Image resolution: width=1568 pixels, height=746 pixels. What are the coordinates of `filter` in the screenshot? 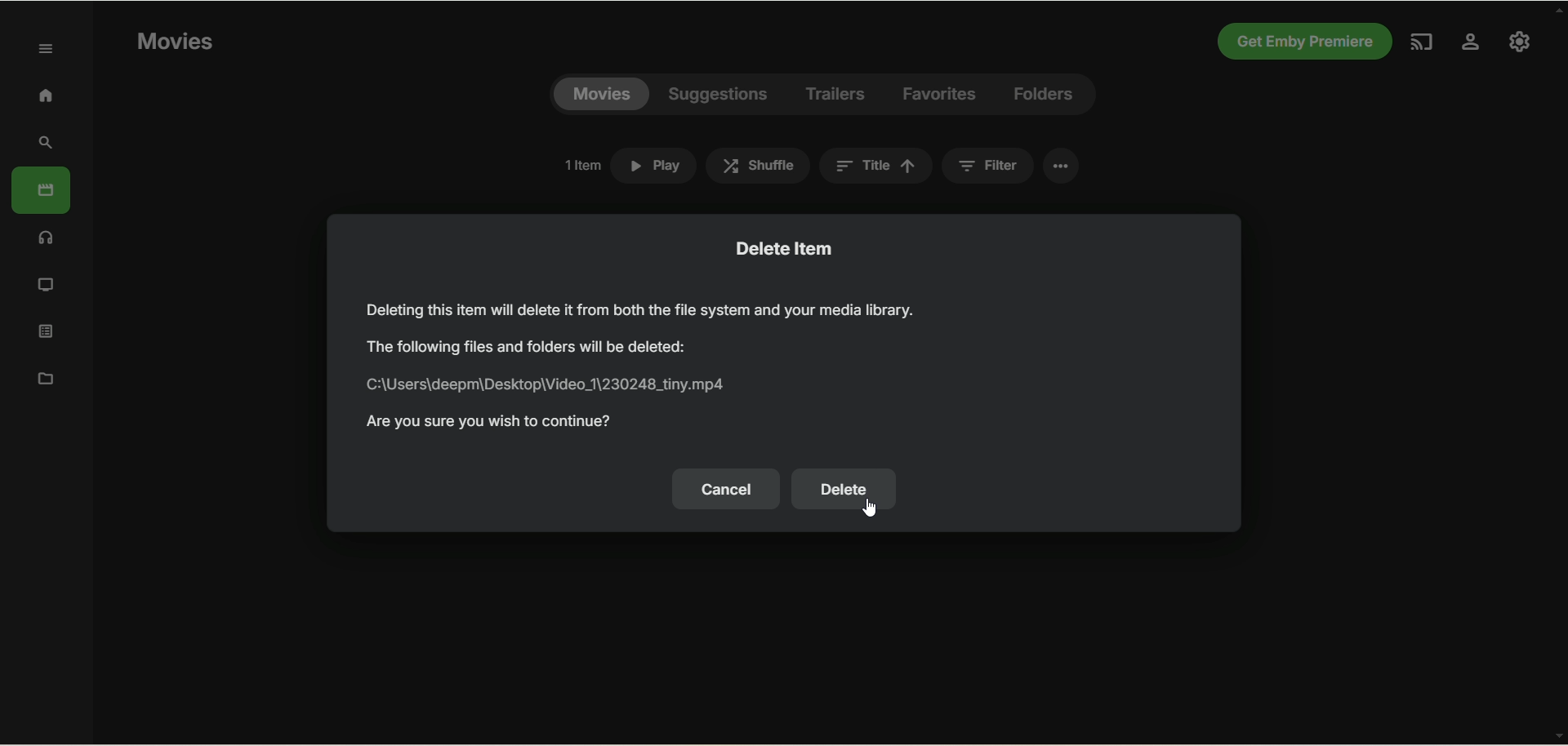 It's located at (987, 166).